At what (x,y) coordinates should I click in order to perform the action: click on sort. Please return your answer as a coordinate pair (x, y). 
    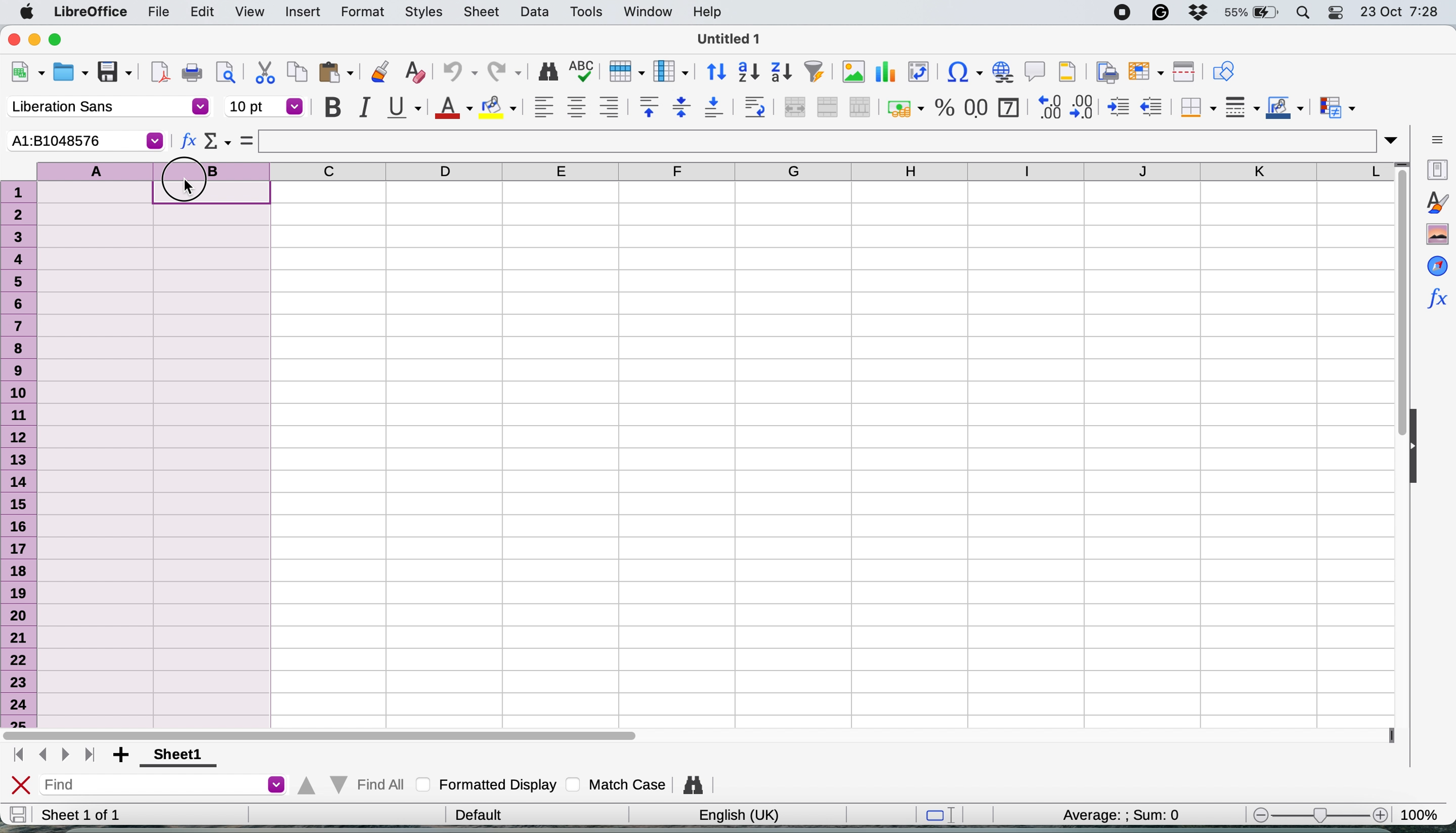
    Looking at the image, I should click on (713, 72).